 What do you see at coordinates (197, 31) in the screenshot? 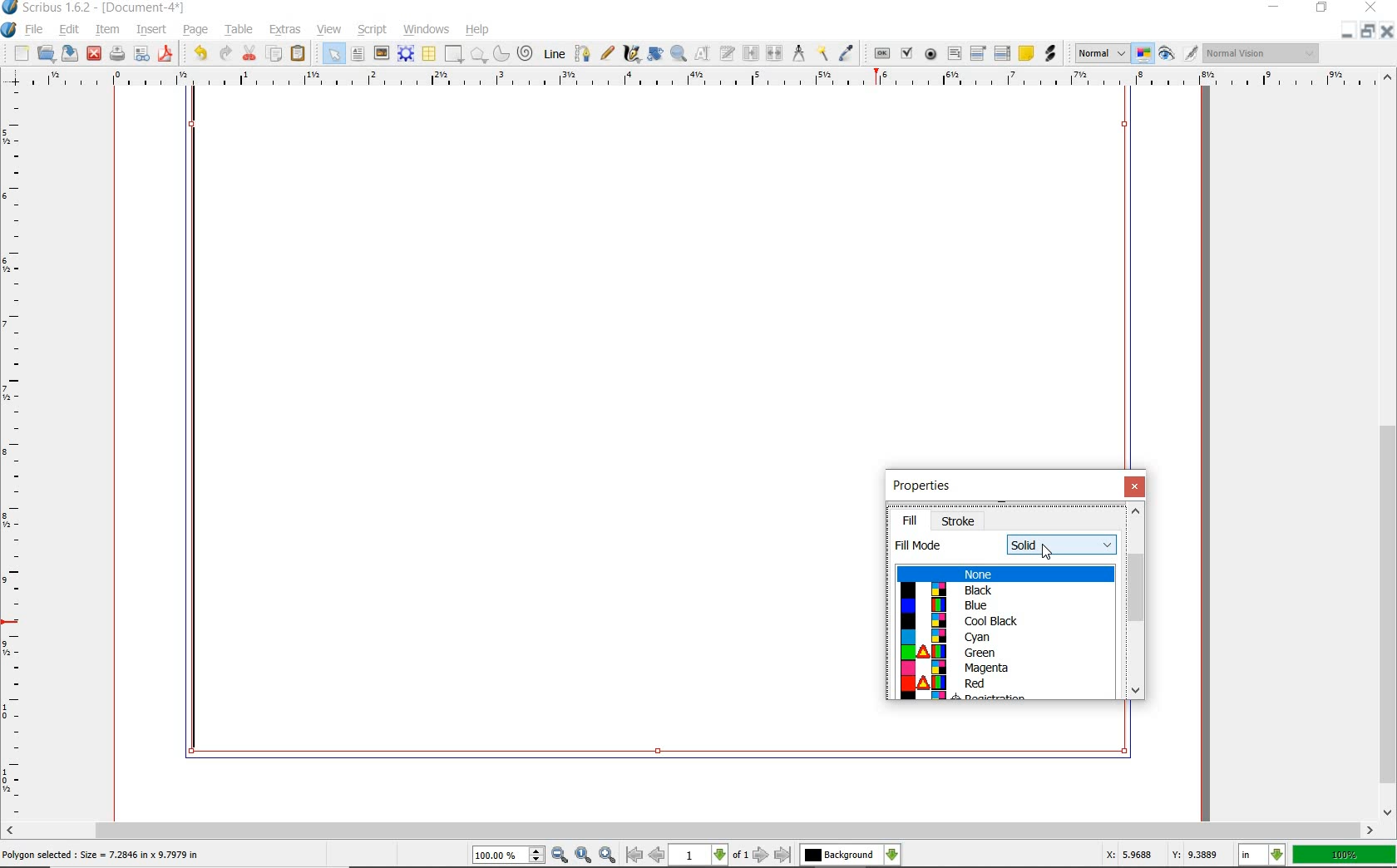
I see `page` at bounding box center [197, 31].